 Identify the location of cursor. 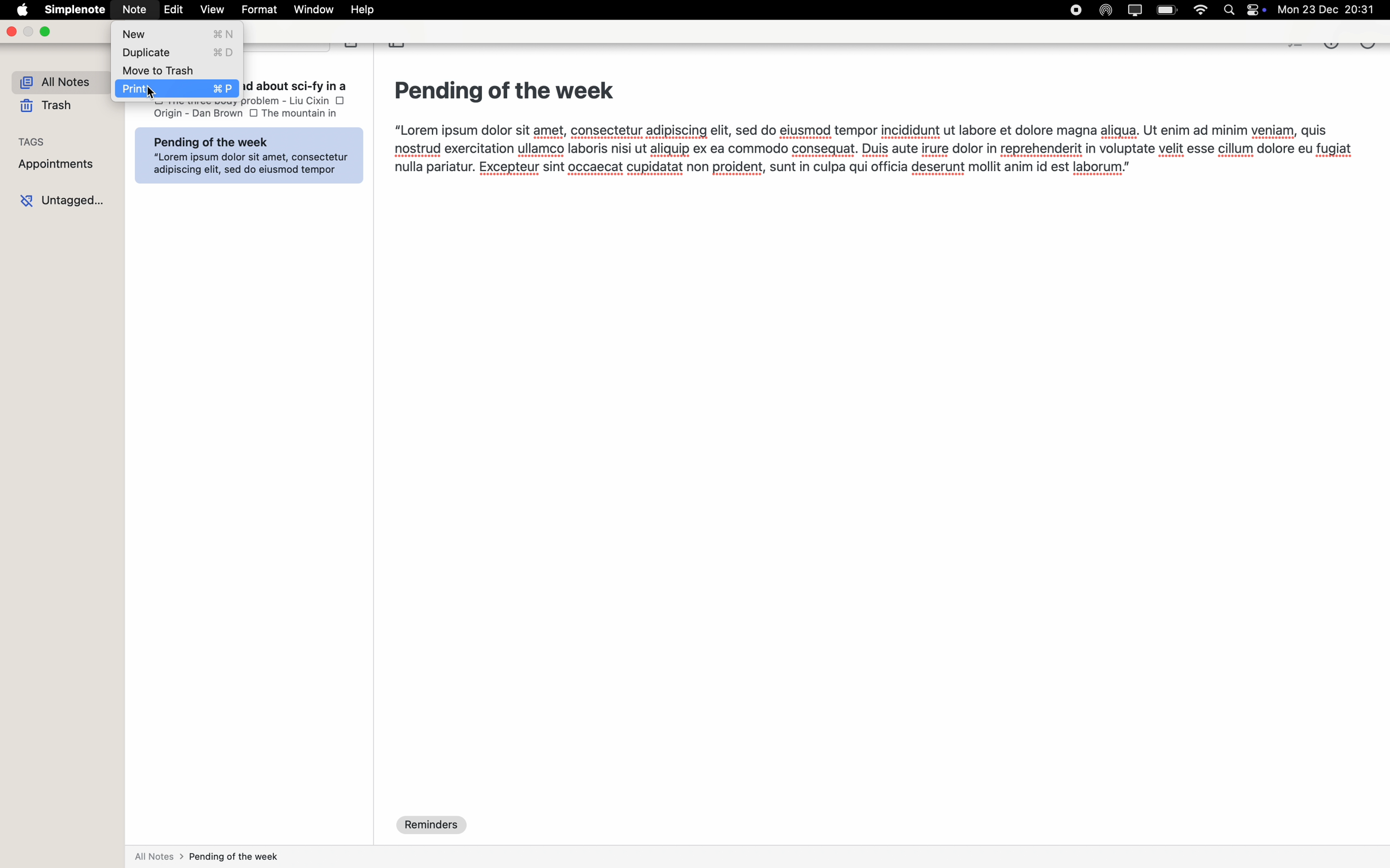
(156, 92).